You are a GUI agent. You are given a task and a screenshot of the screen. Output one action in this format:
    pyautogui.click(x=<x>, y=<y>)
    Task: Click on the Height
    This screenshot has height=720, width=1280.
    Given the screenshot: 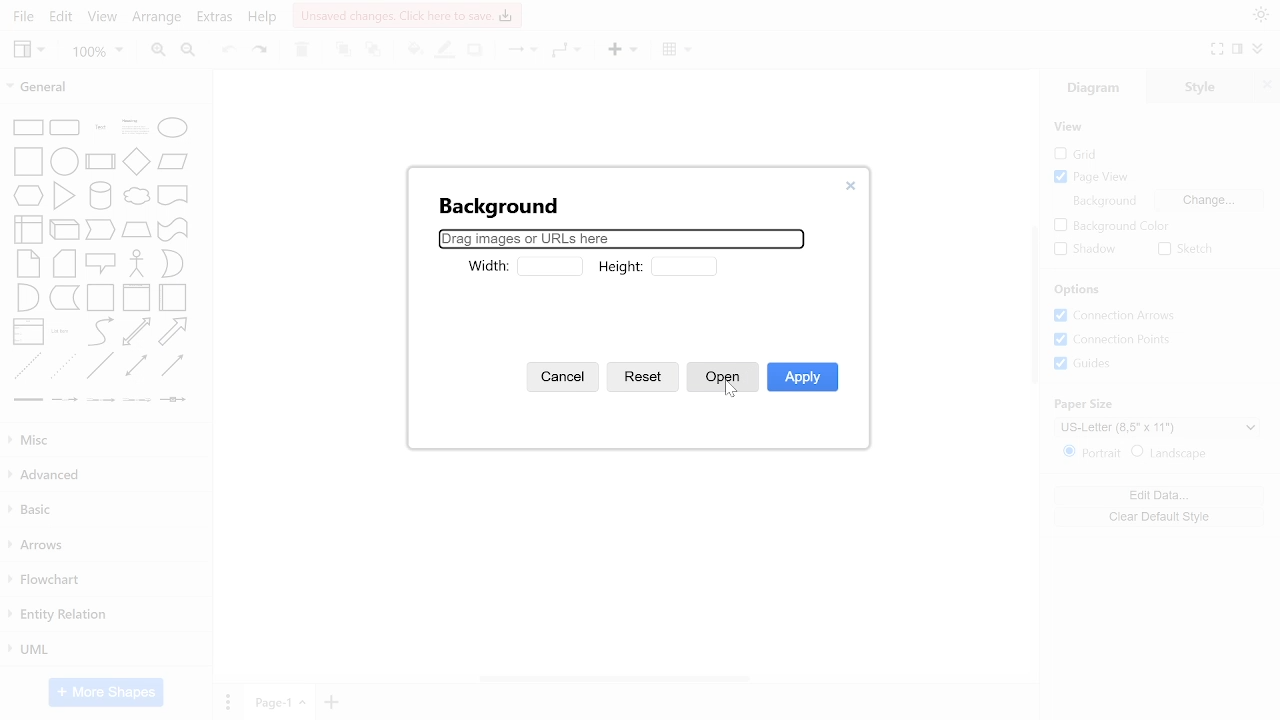 What is the action you would take?
    pyautogui.click(x=623, y=267)
    